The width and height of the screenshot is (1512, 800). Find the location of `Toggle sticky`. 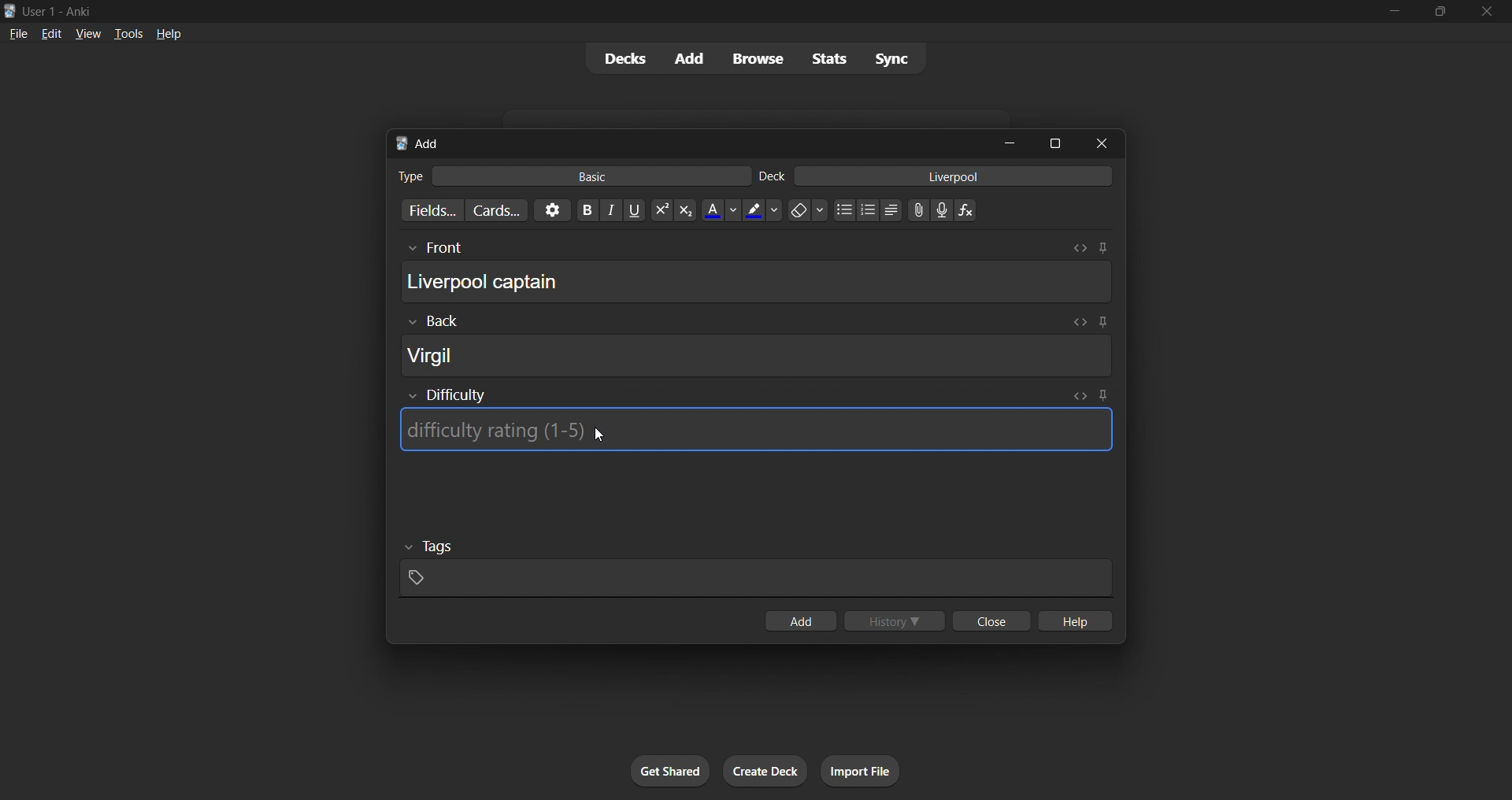

Toggle sticky is located at coordinates (1102, 397).